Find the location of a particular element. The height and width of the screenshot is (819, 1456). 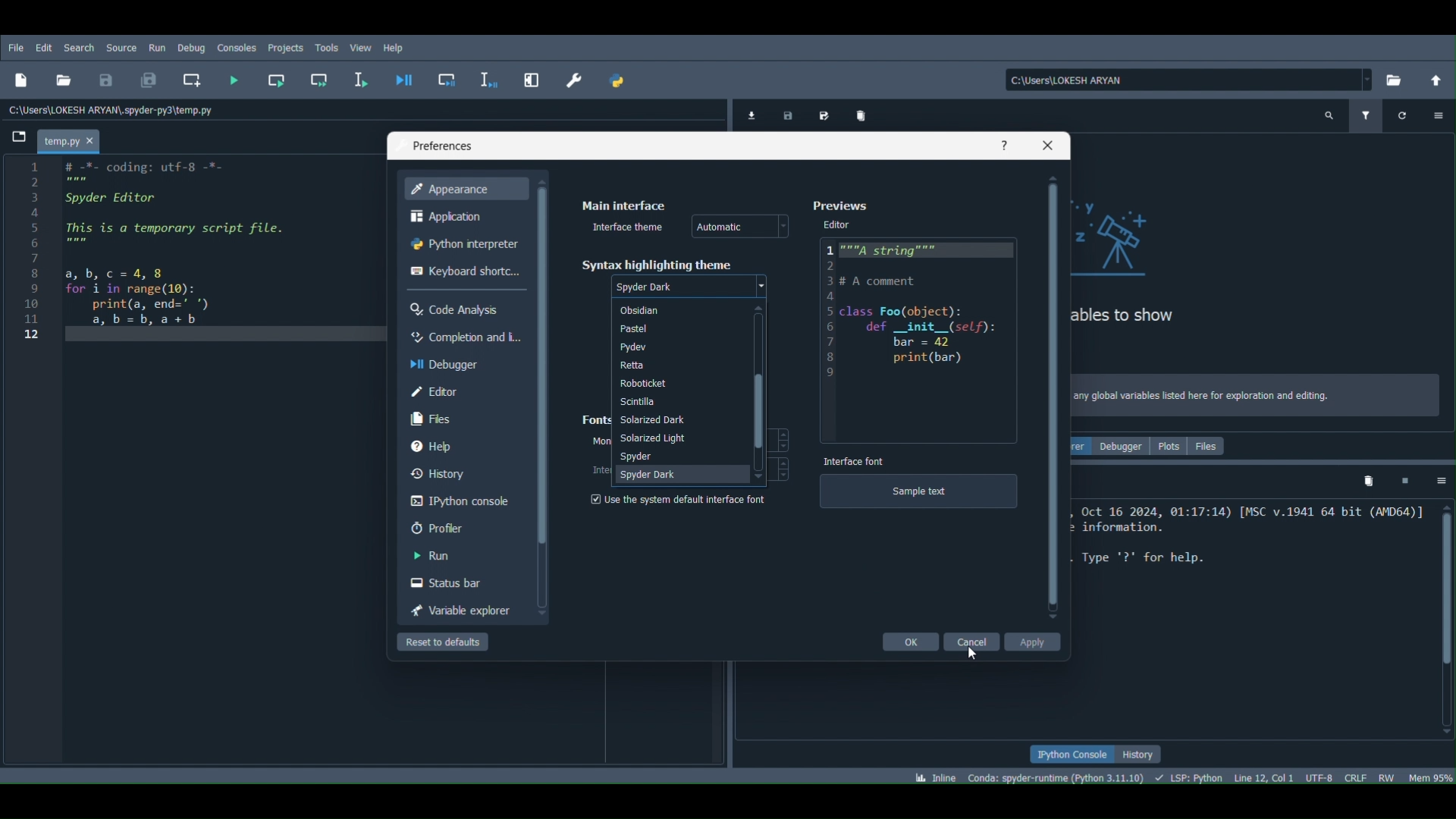

File path is located at coordinates (115, 108).